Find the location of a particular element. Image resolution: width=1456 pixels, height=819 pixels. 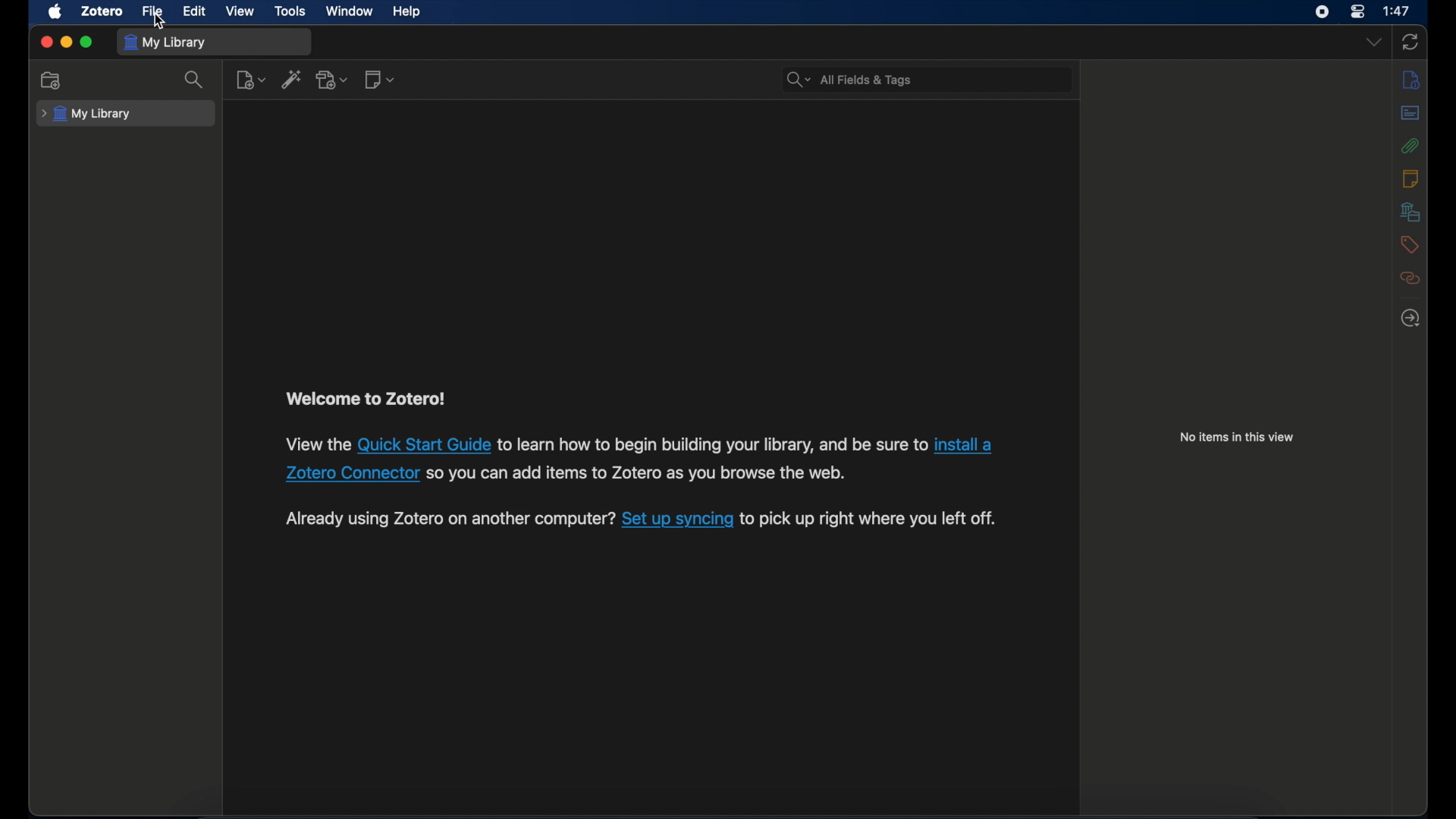

help is located at coordinates (406, 12).